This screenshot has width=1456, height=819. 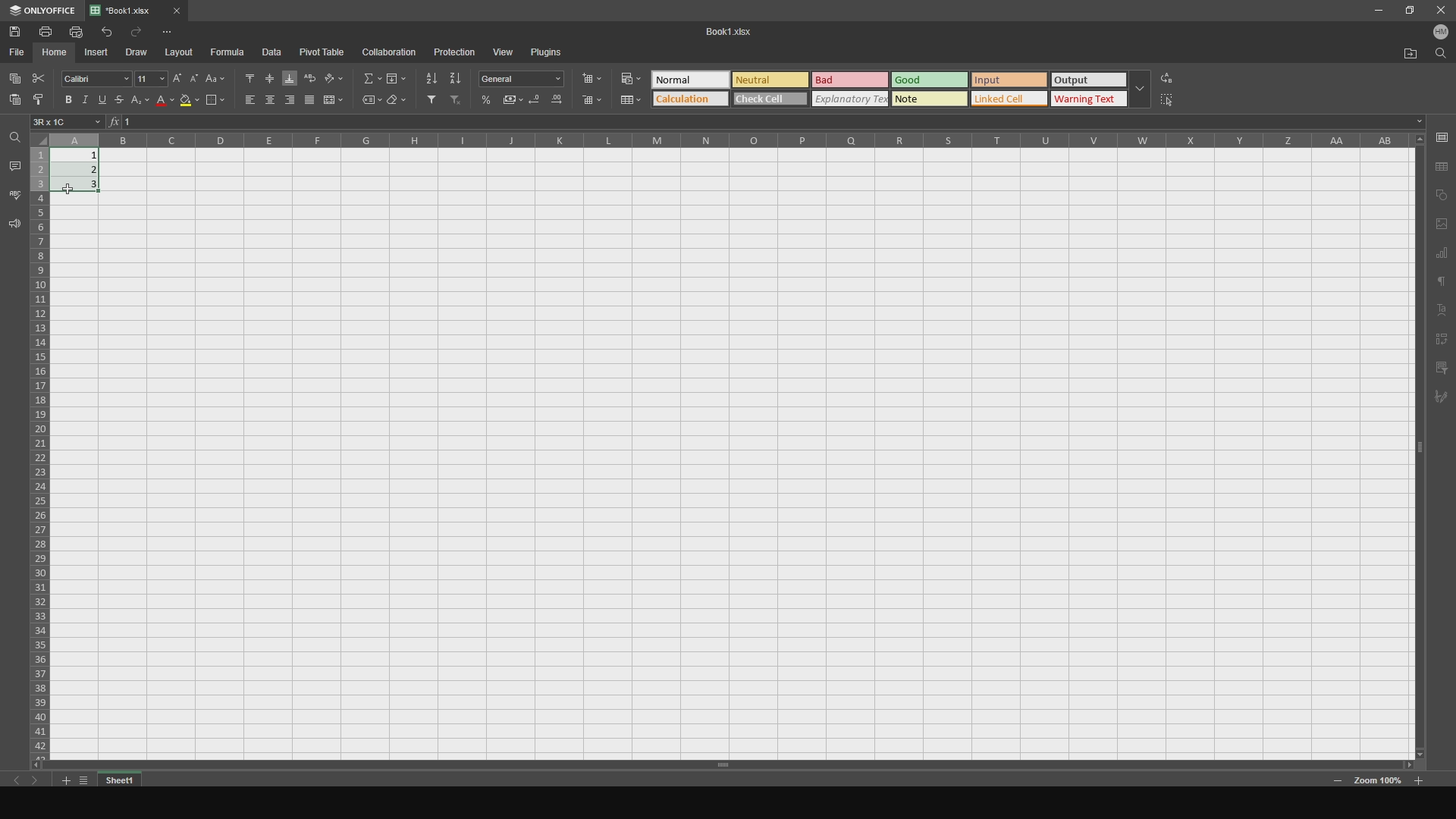 I want to click on minimize, so click(x=1377, y=12).